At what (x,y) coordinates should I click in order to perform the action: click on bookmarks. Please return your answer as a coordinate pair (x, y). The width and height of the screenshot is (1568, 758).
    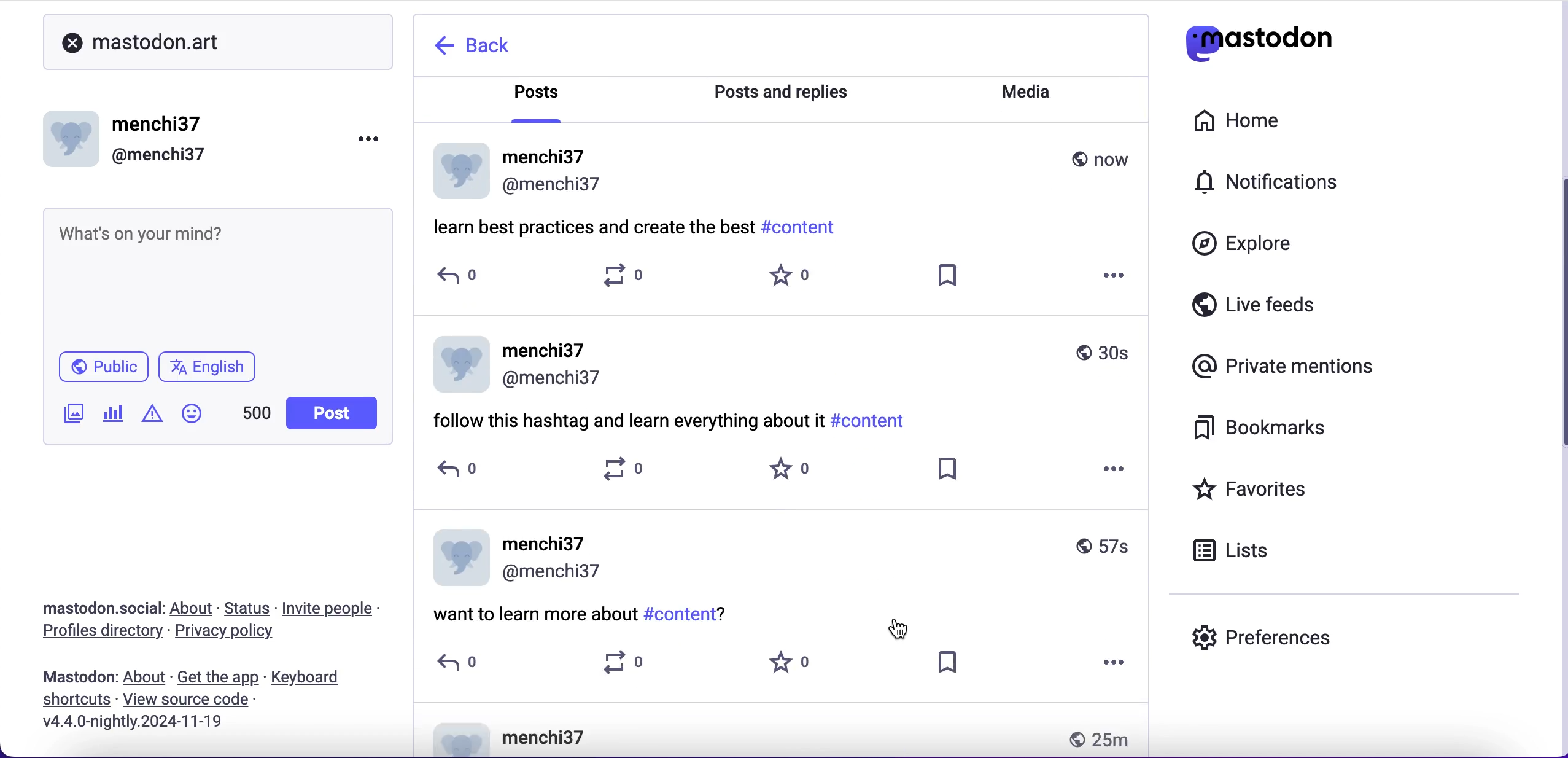
    Looking at the image, I should click on (1269, 432).